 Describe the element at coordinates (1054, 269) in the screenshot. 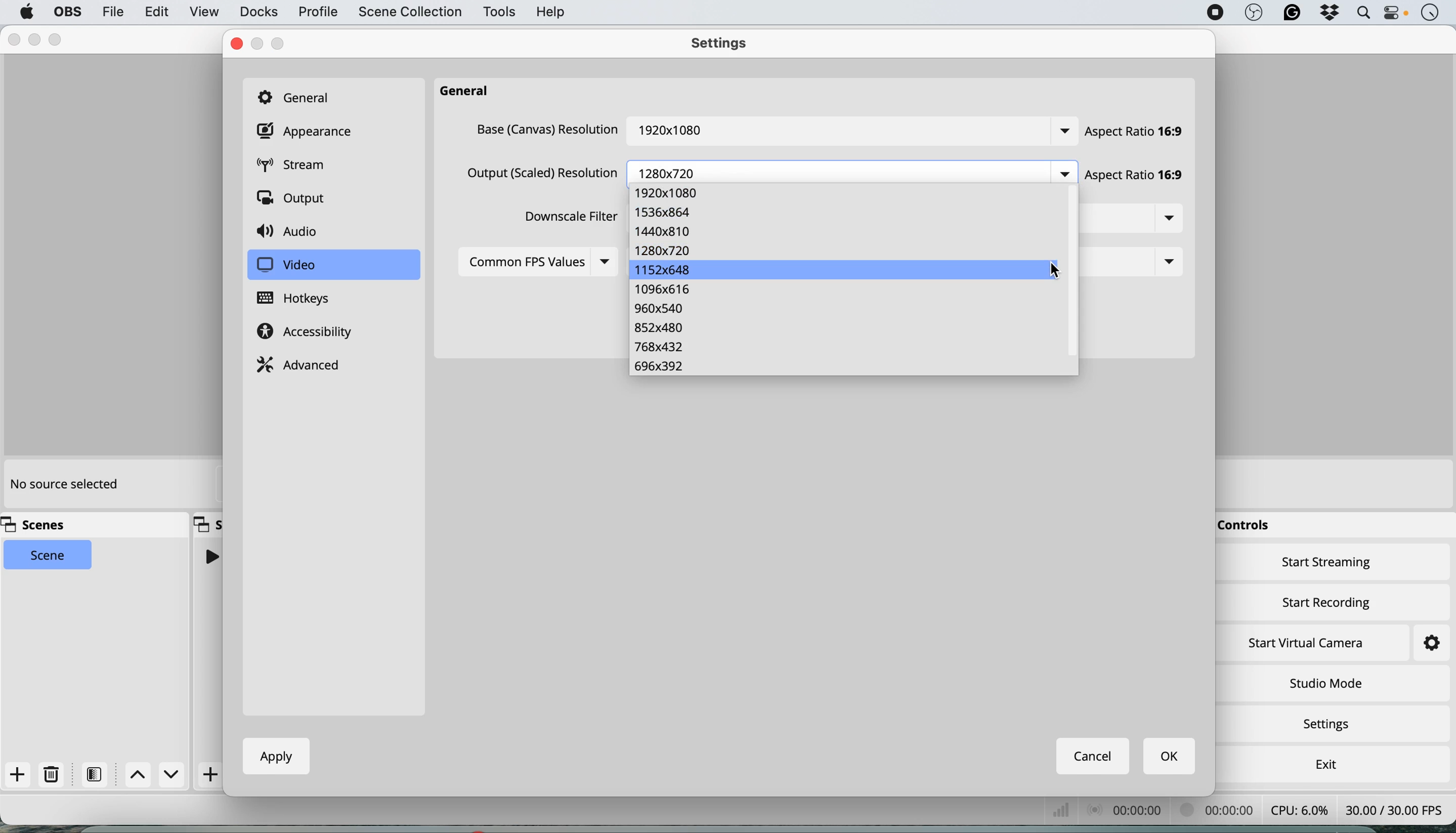

I see `cursor` at that location.